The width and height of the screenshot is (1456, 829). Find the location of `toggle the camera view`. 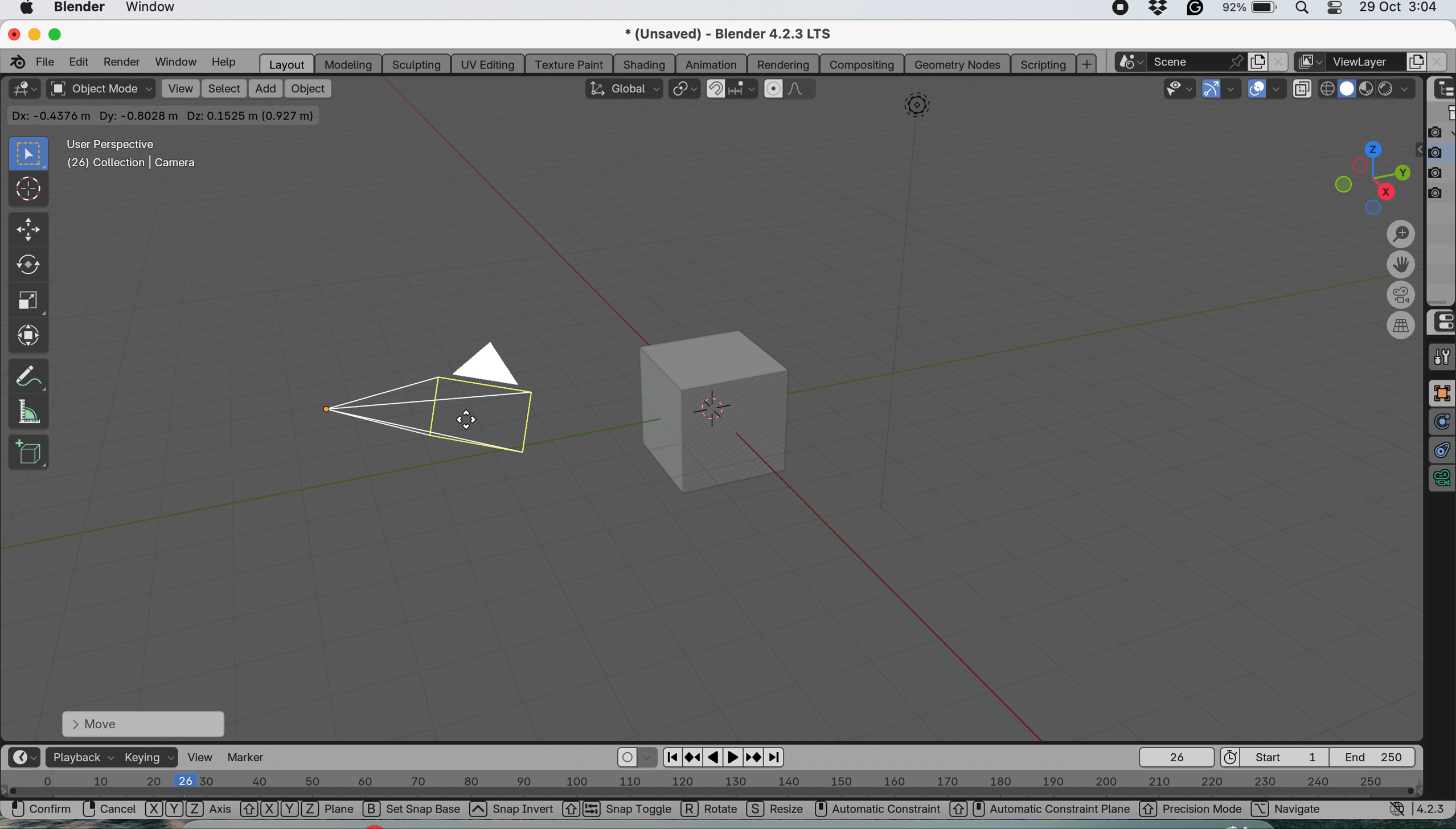

toggle the camera view is located at coordinates (1403, 296).